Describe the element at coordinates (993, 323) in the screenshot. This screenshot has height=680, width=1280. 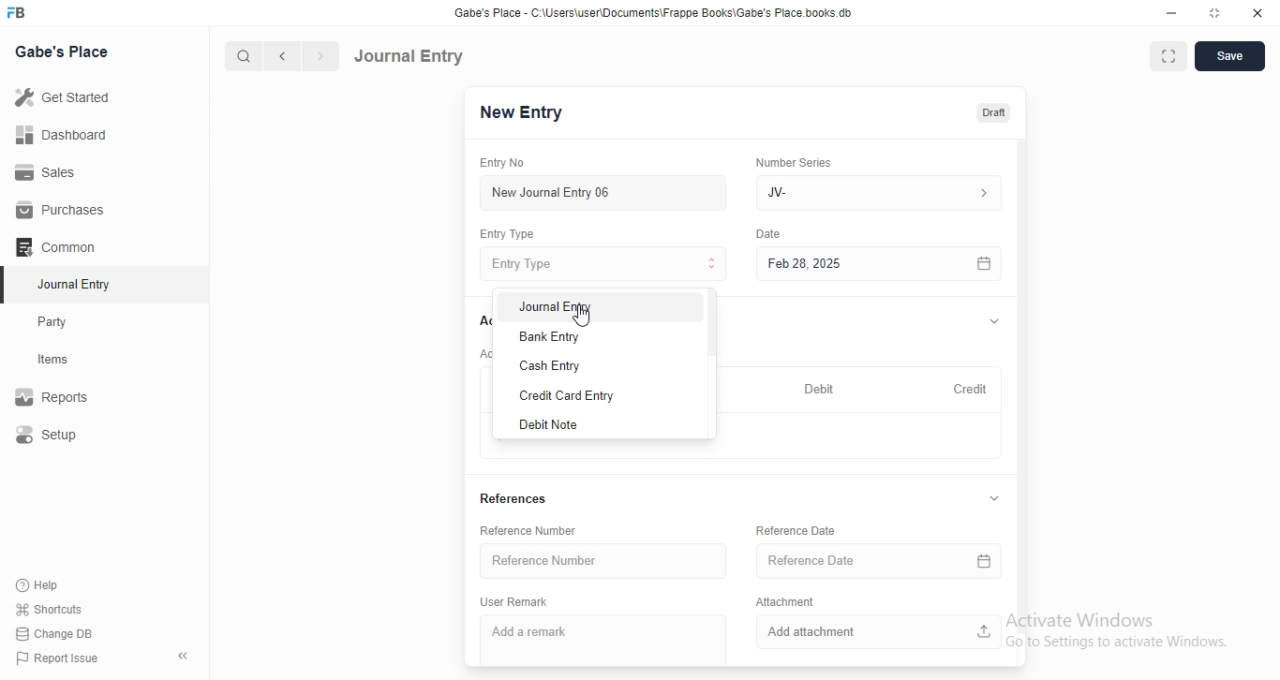
I see `collapse` at that location.